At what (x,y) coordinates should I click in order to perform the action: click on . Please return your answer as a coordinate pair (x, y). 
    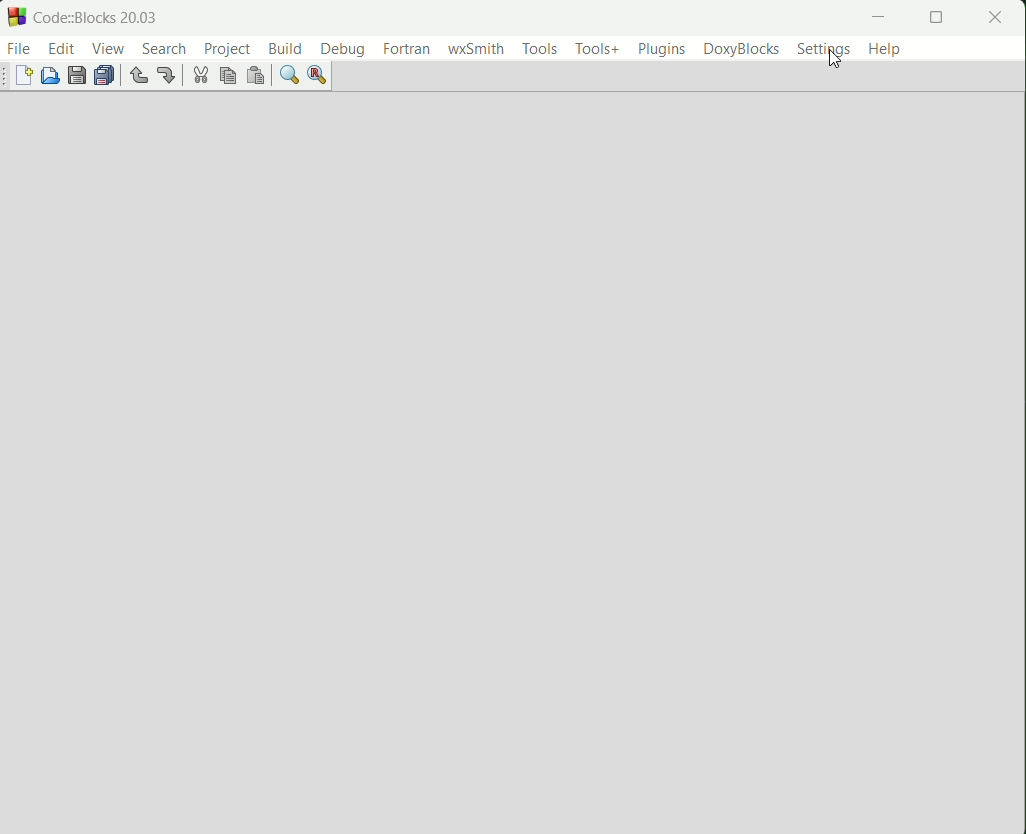
    Looking at the image, I should click on (6, 77).